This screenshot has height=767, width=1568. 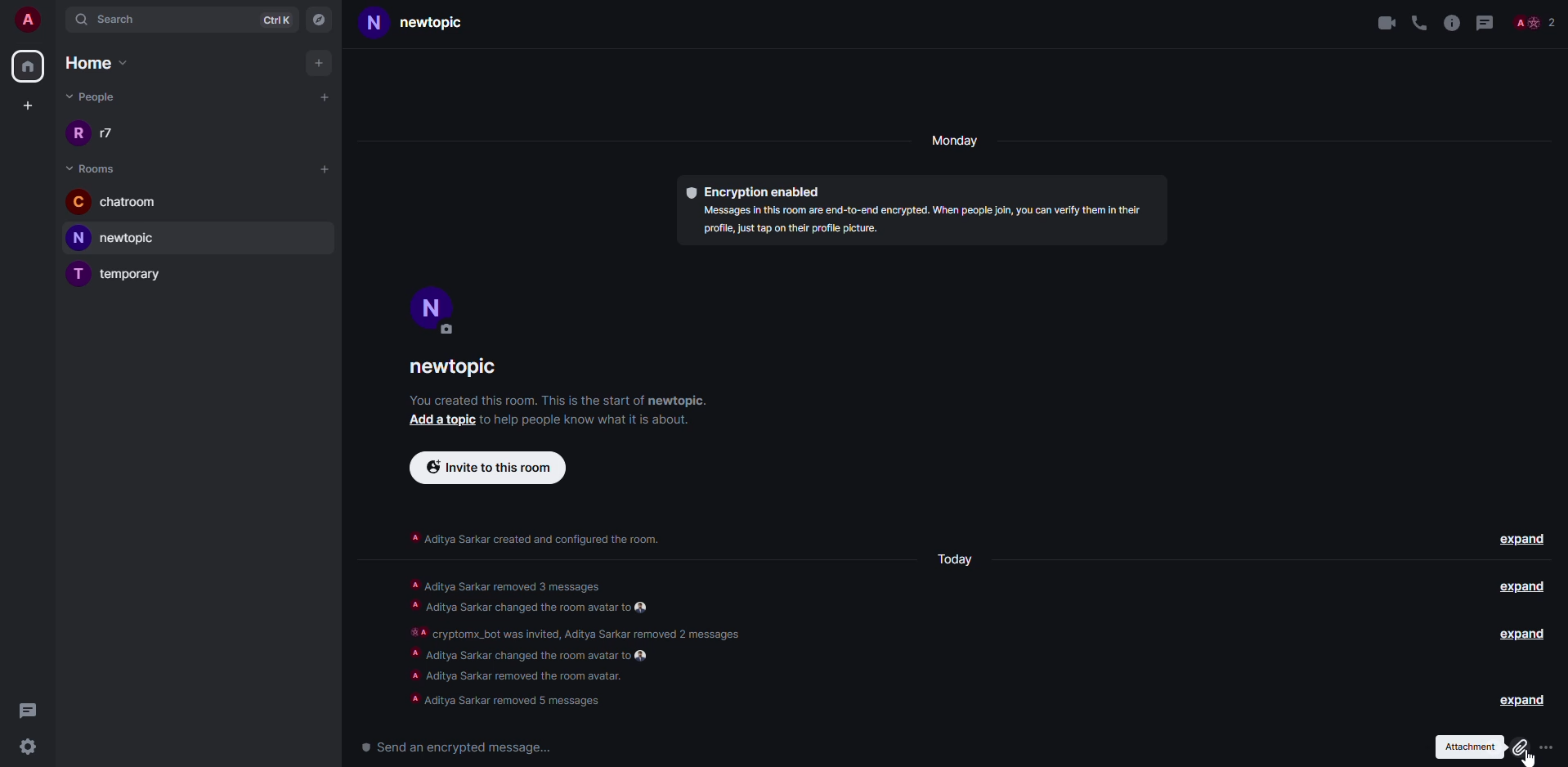 I want to click on add, so click(x=325, y=94).